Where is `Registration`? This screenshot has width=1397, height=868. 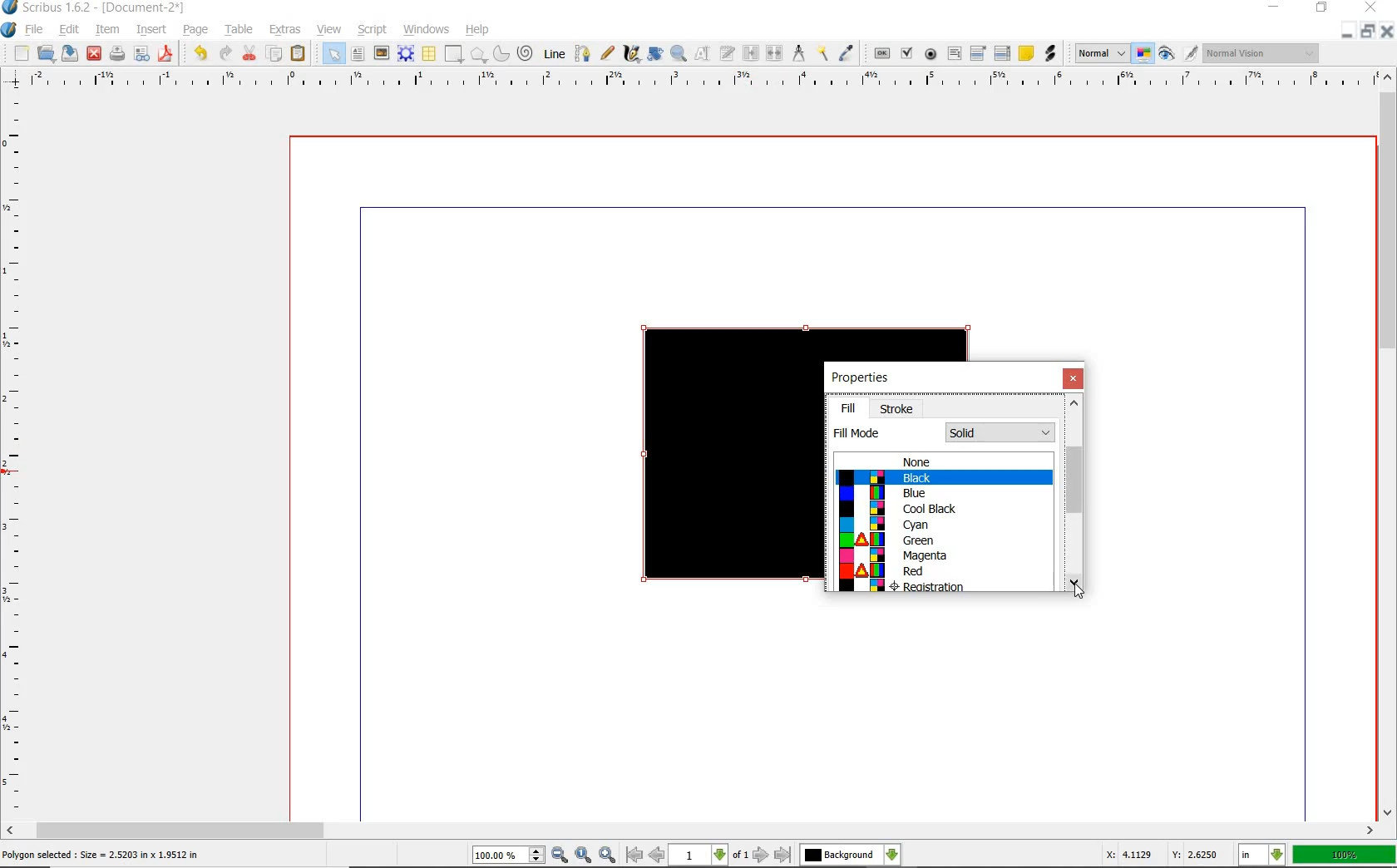
Registration is located at coordinates (942, 586).